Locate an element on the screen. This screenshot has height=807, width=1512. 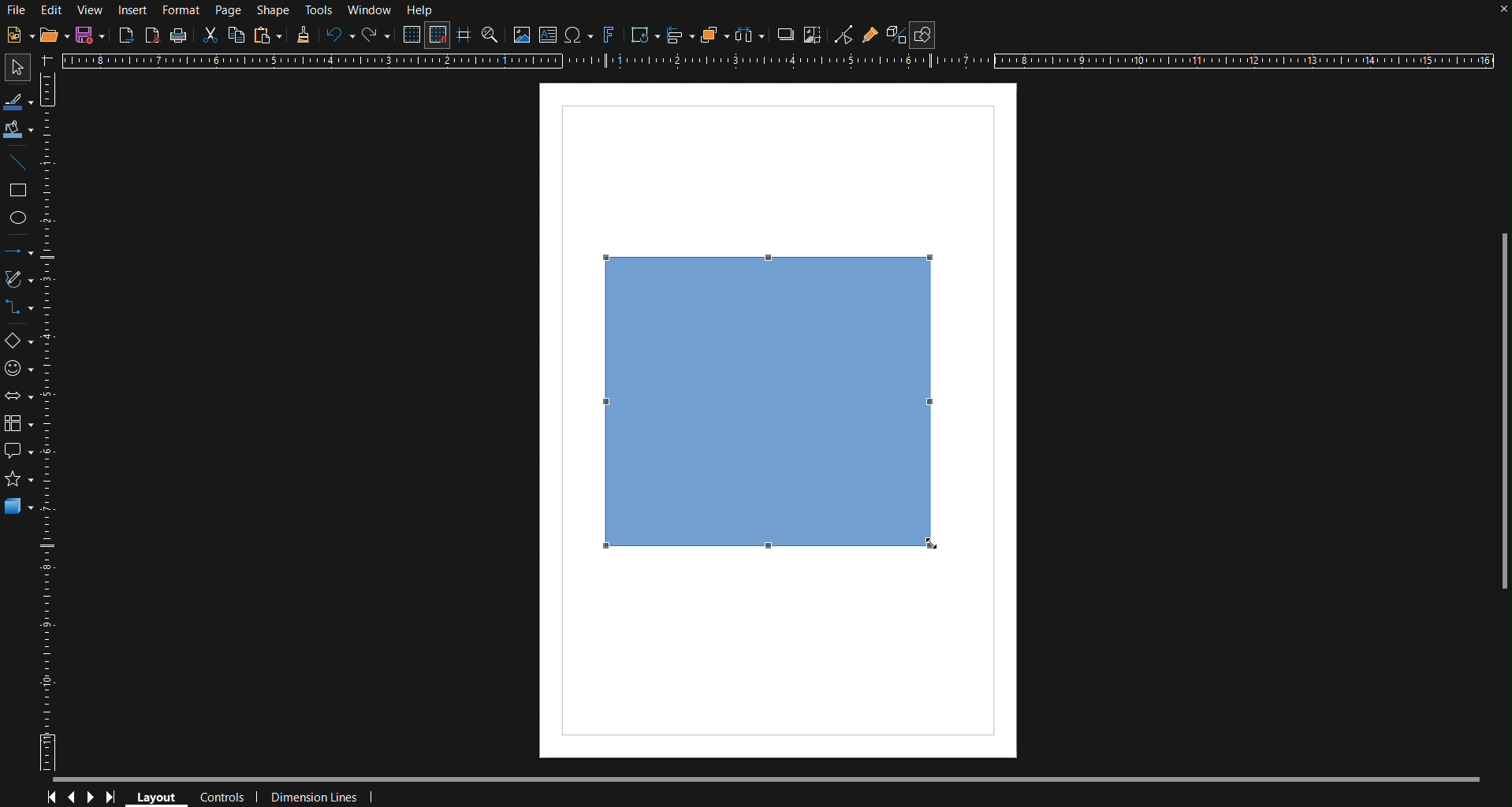
Callout Shapes is located at coordinates (19, 451).